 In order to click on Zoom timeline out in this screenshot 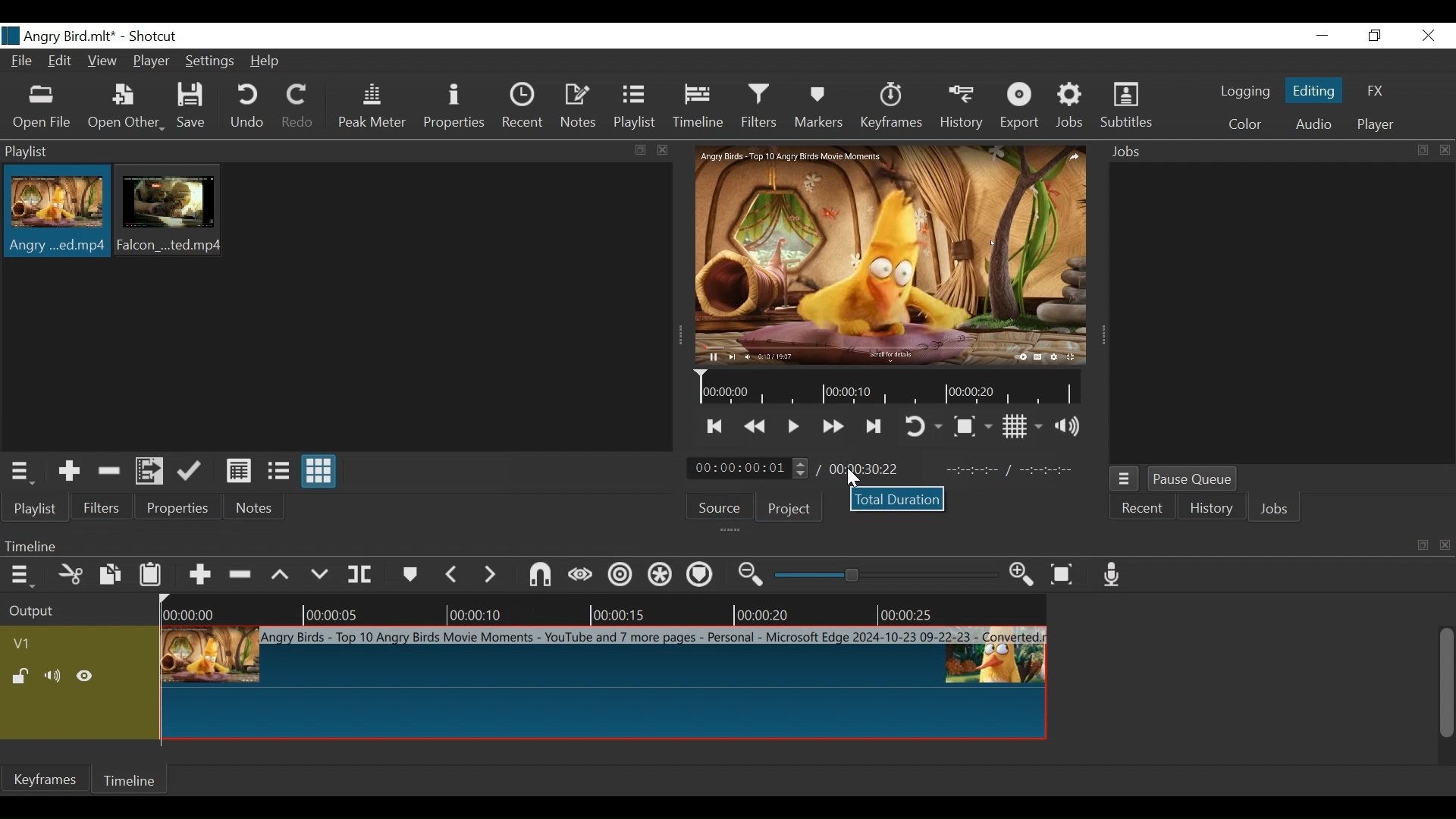, I will do `click(750, 576)`.